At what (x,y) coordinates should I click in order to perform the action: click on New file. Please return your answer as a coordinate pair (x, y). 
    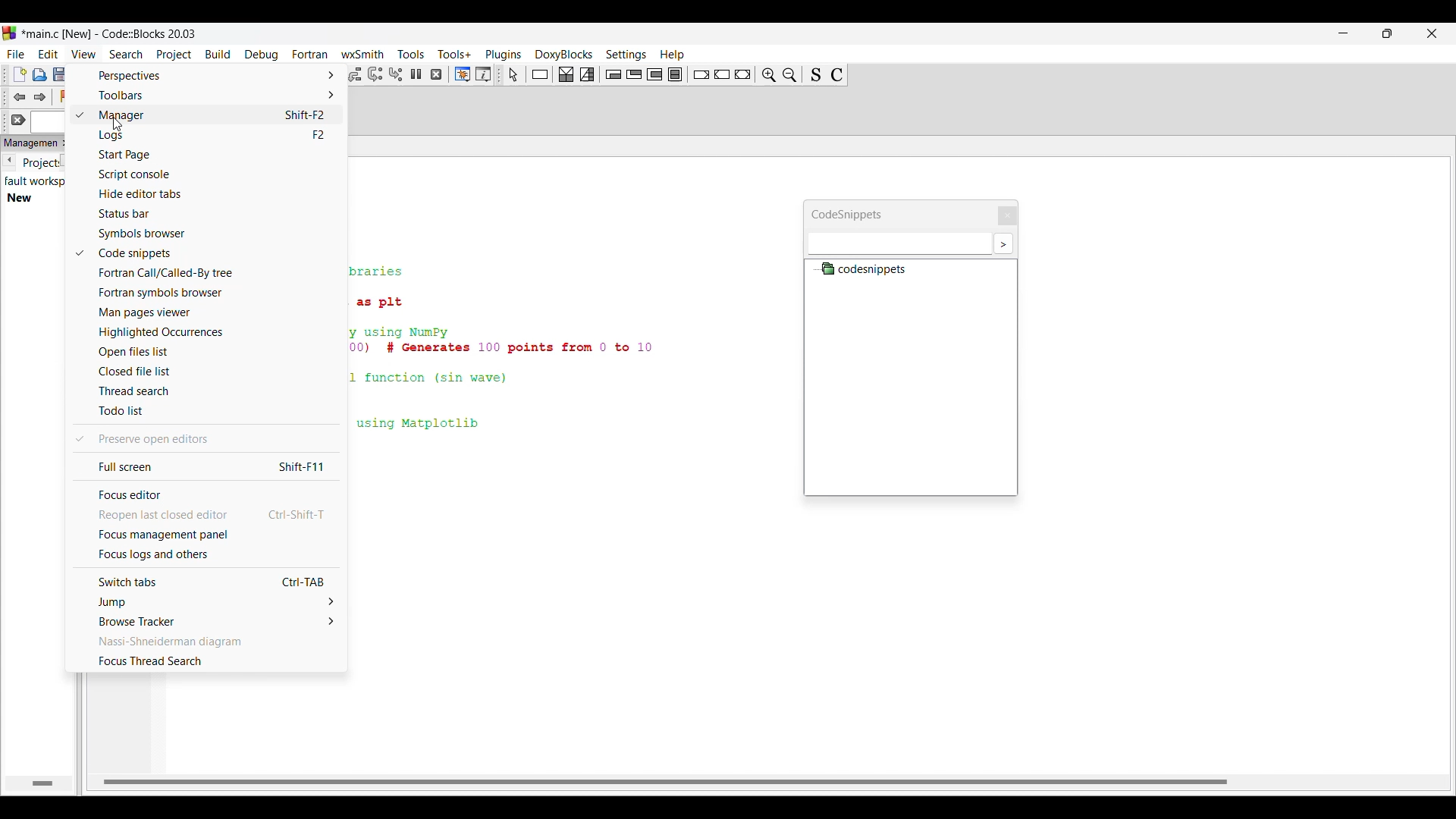
    Looking at the image, I should click on (20, 74).